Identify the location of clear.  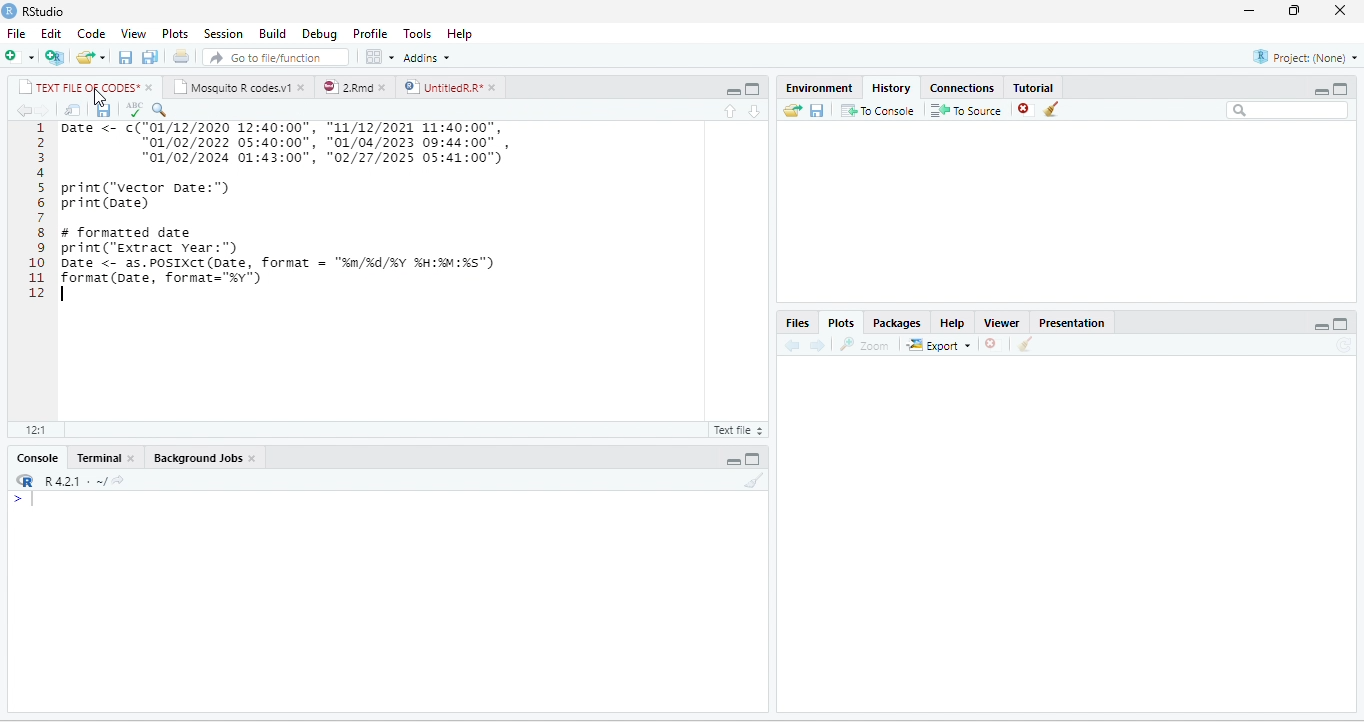
(755, 480).